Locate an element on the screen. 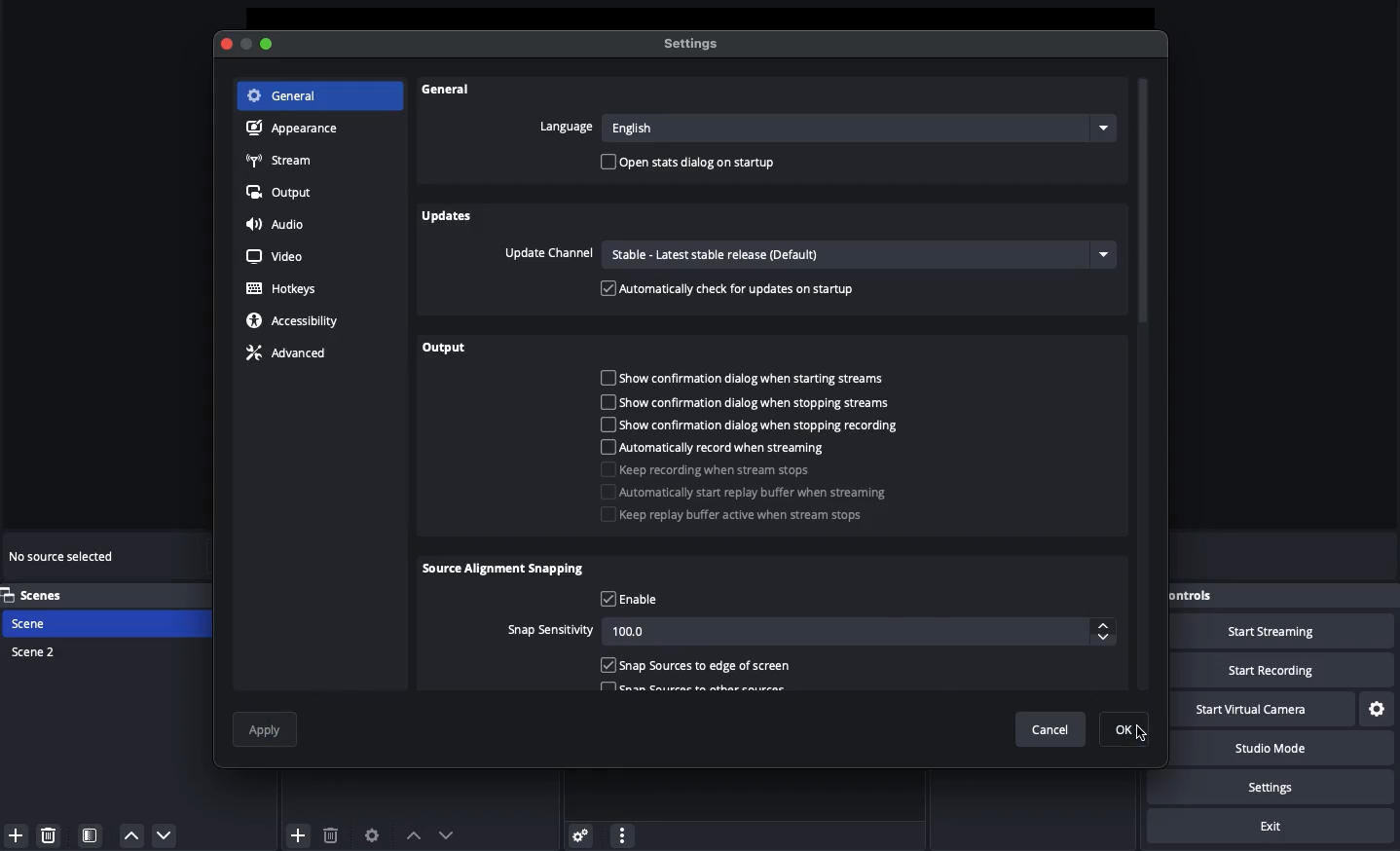 The width and height of the screenshot is (1400, 851). Video is located at coordinates (277, 255).